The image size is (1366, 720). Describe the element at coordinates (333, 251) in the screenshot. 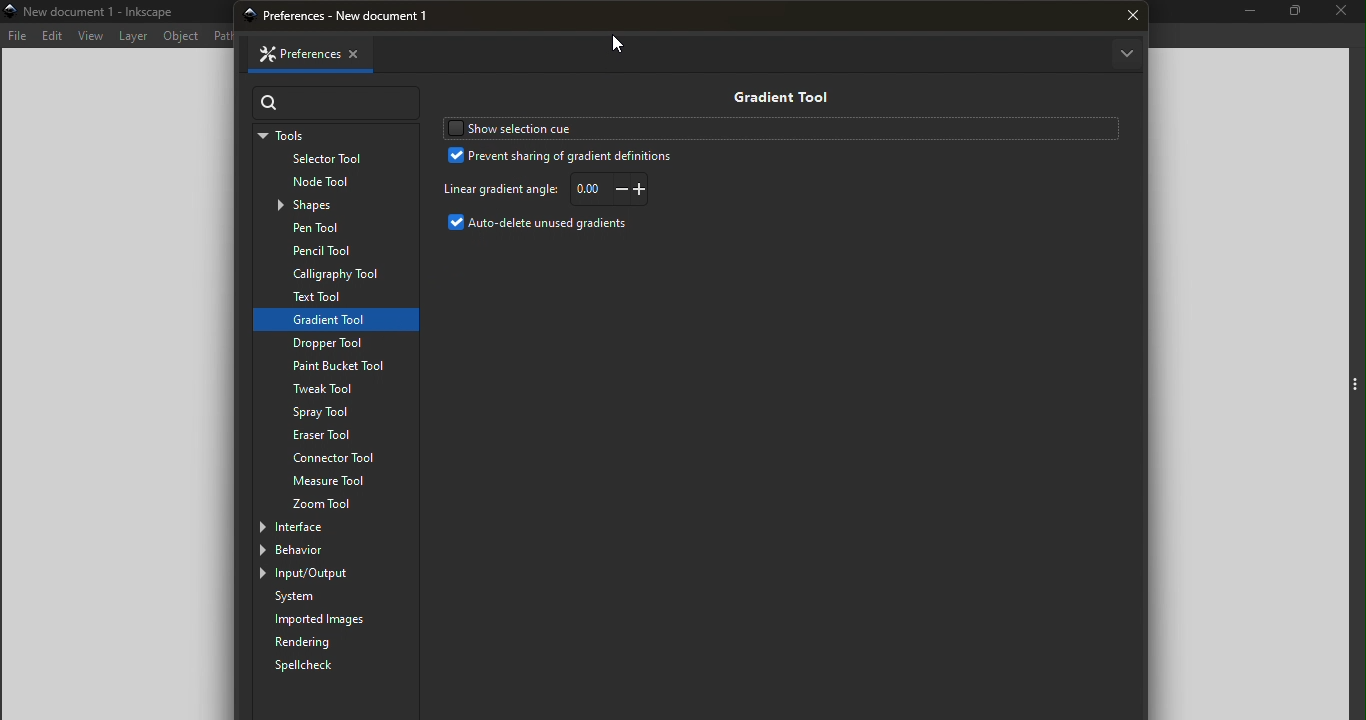

I see `Pencil tool` at that location.